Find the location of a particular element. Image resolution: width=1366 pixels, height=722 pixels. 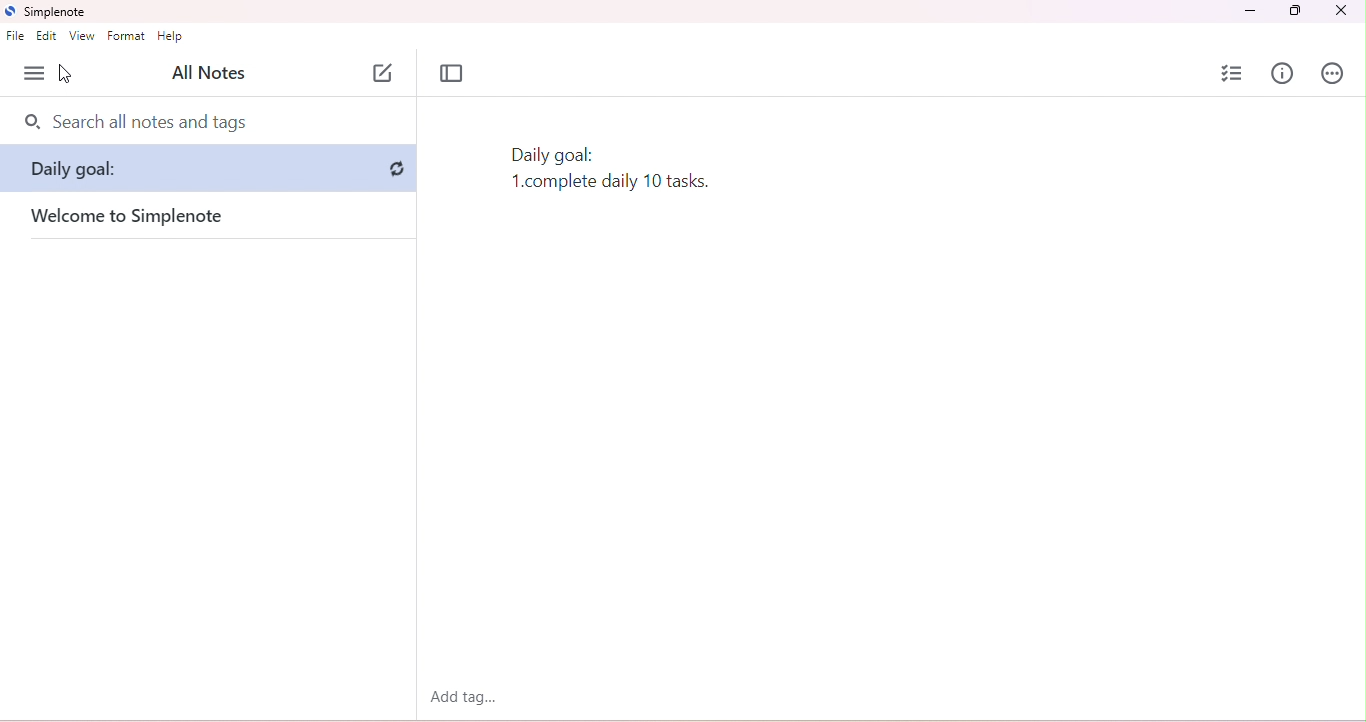

edit is located at coordinates (48, 36).